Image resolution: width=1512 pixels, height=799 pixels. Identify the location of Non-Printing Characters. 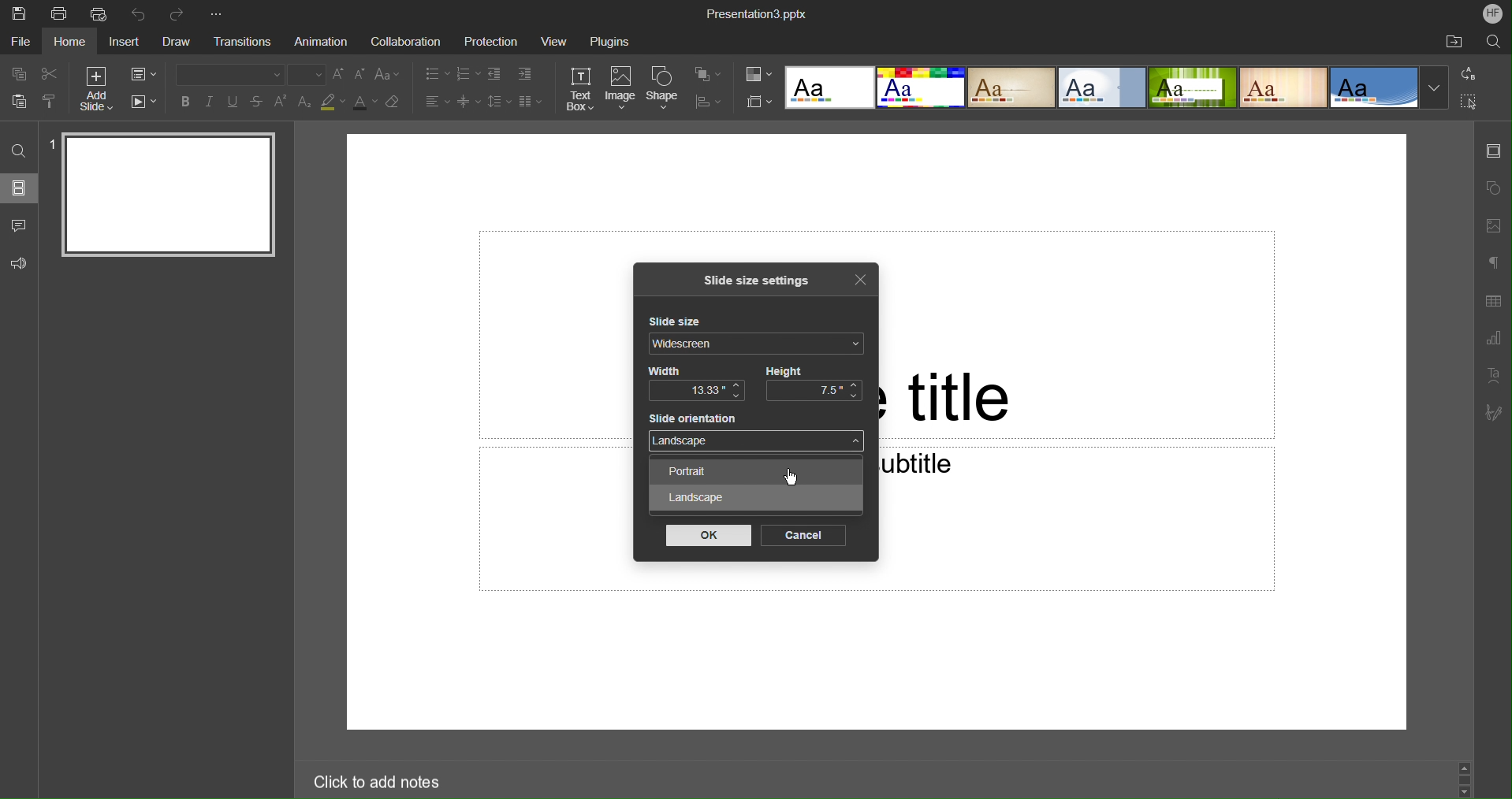
(1493, 262).